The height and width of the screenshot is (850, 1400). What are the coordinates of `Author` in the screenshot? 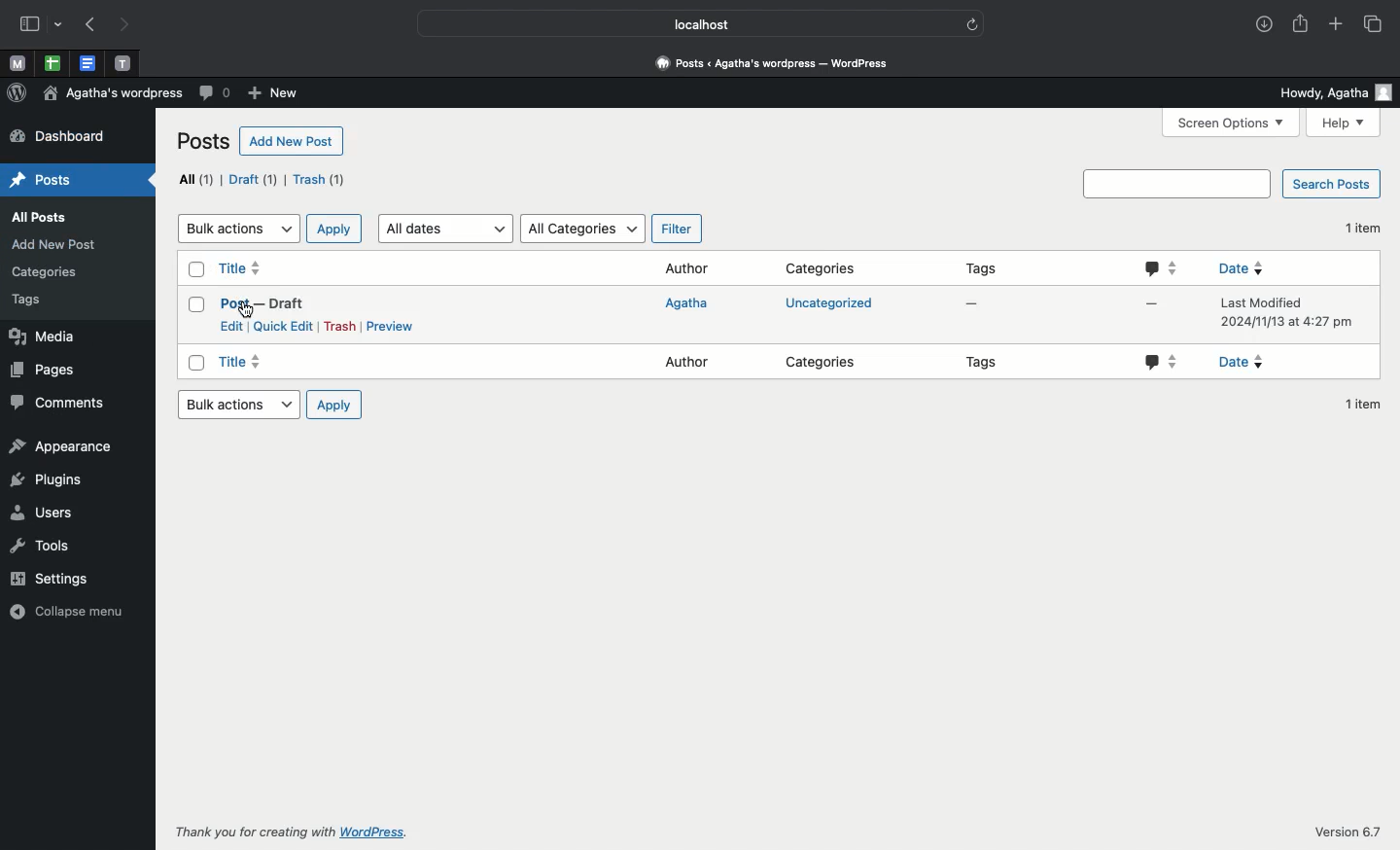 It's located at (690, 365).